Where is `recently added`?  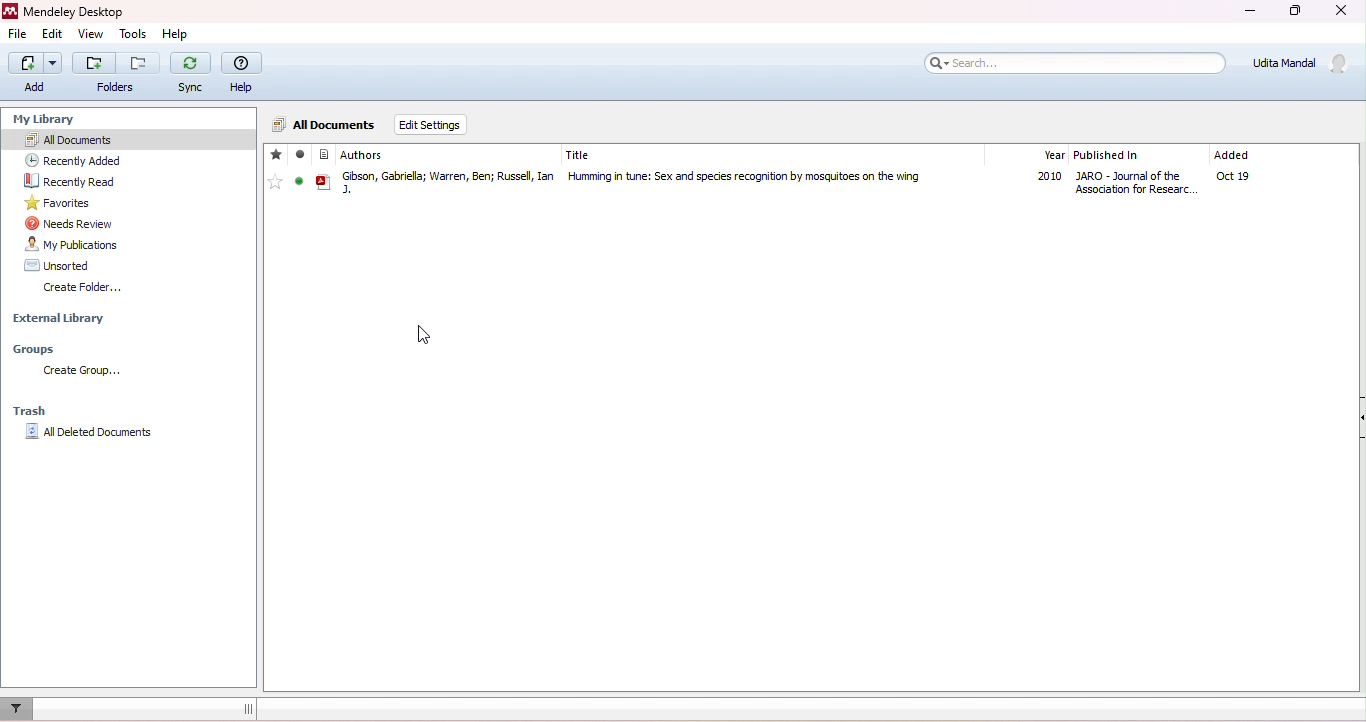
recently added is located at coordinates (71, 161).